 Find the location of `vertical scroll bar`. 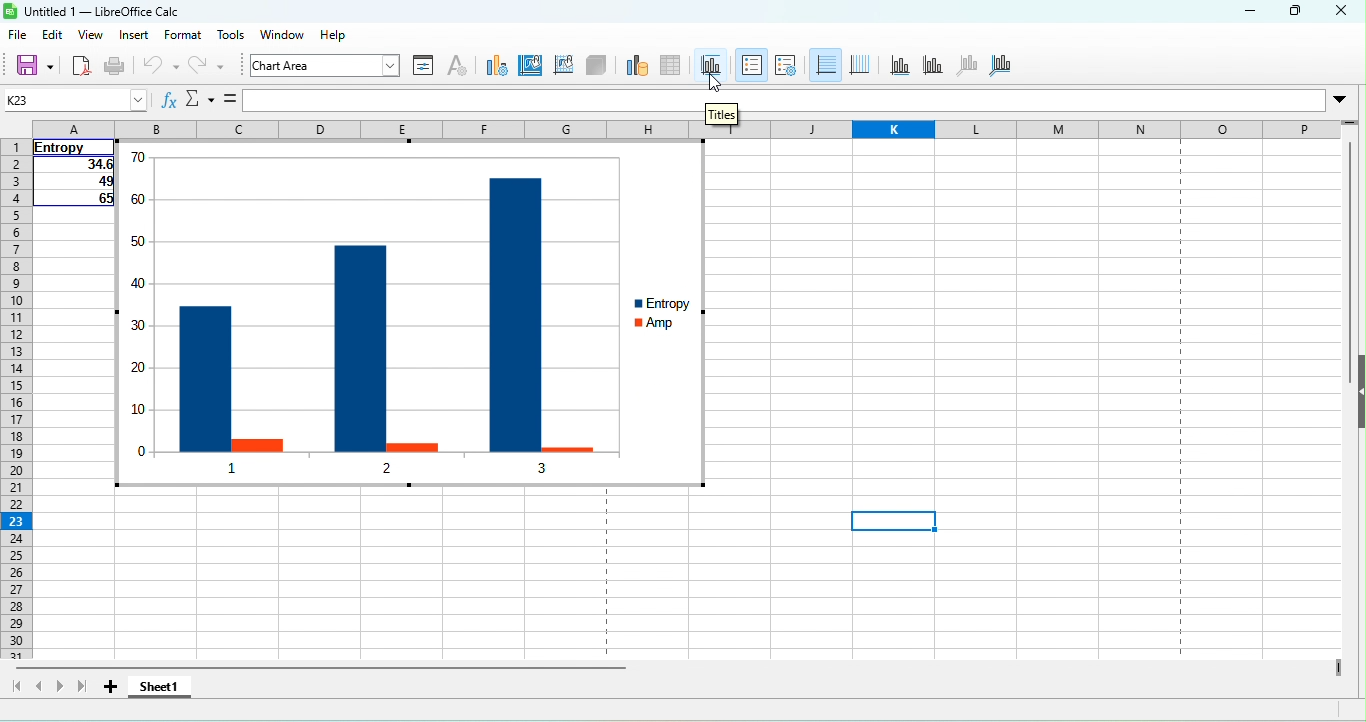

vertical scroll bar is located at coordinates (1349, 266).